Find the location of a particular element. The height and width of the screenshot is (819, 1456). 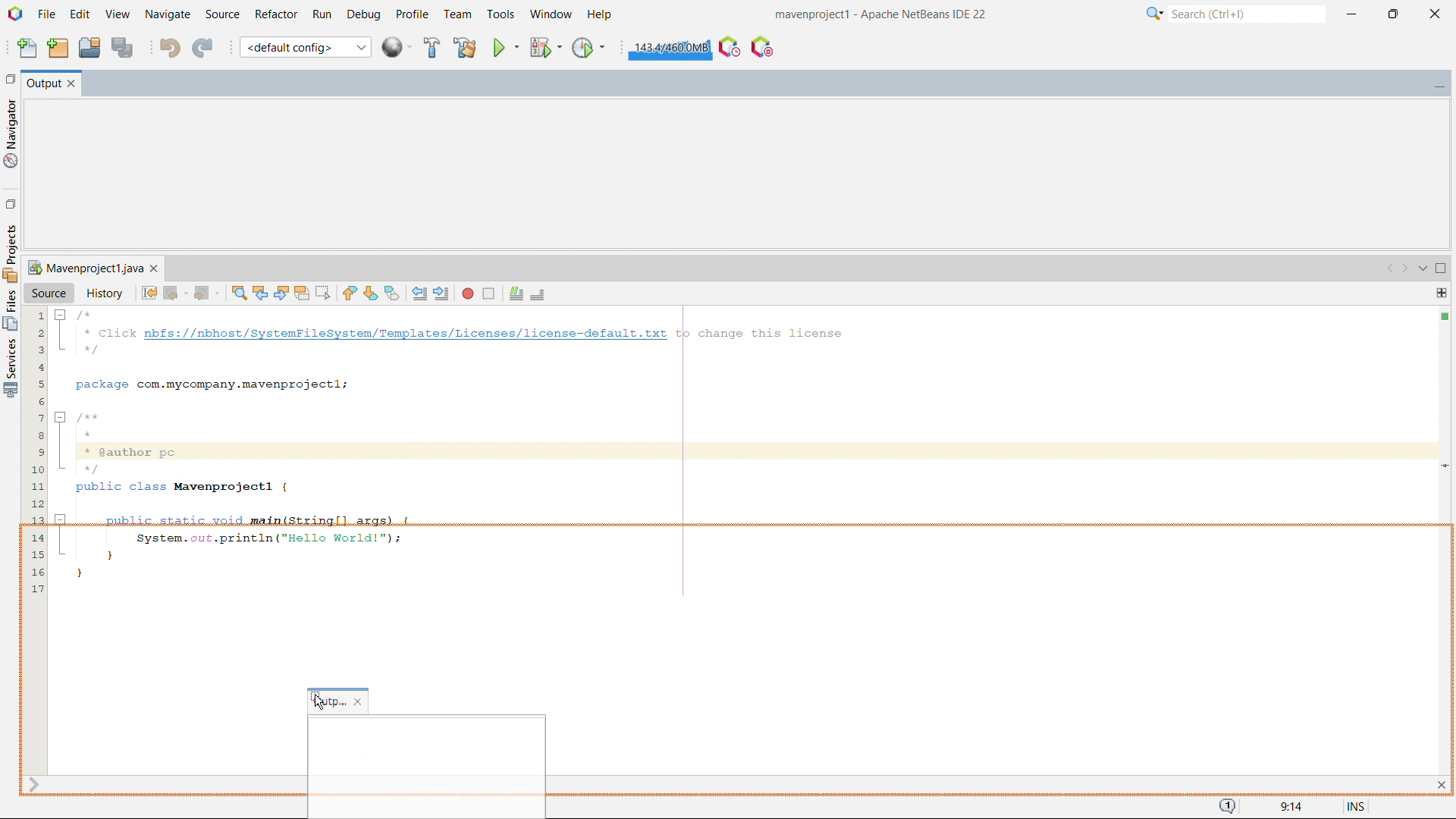

drag to split windpw is located at coordinates (1441, 293).